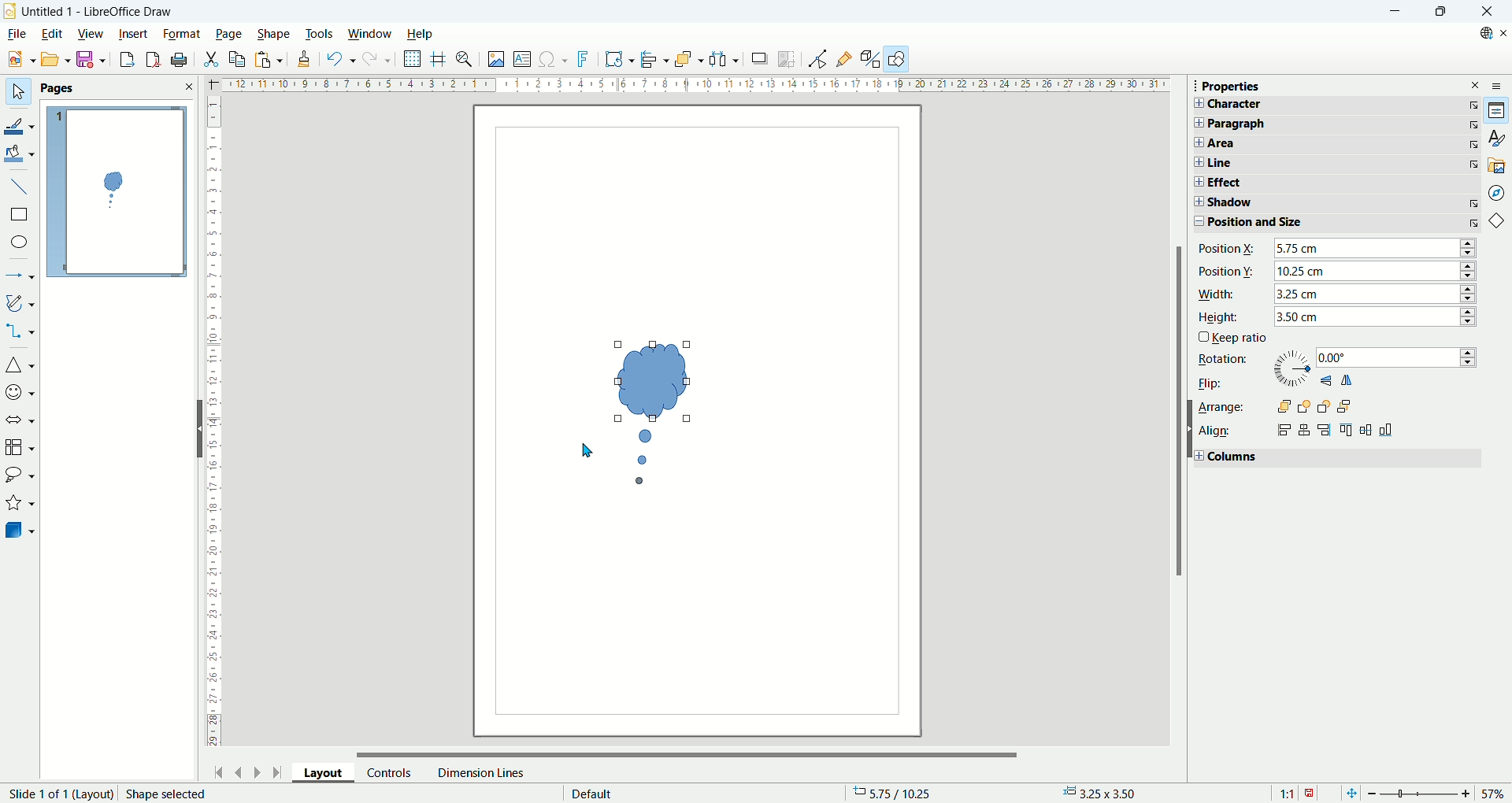 This screenshot has width=1512, height=803. What do you see at coordinates (16, 34) in the screenshot?
I see `file` at bounding box center [16, 34].